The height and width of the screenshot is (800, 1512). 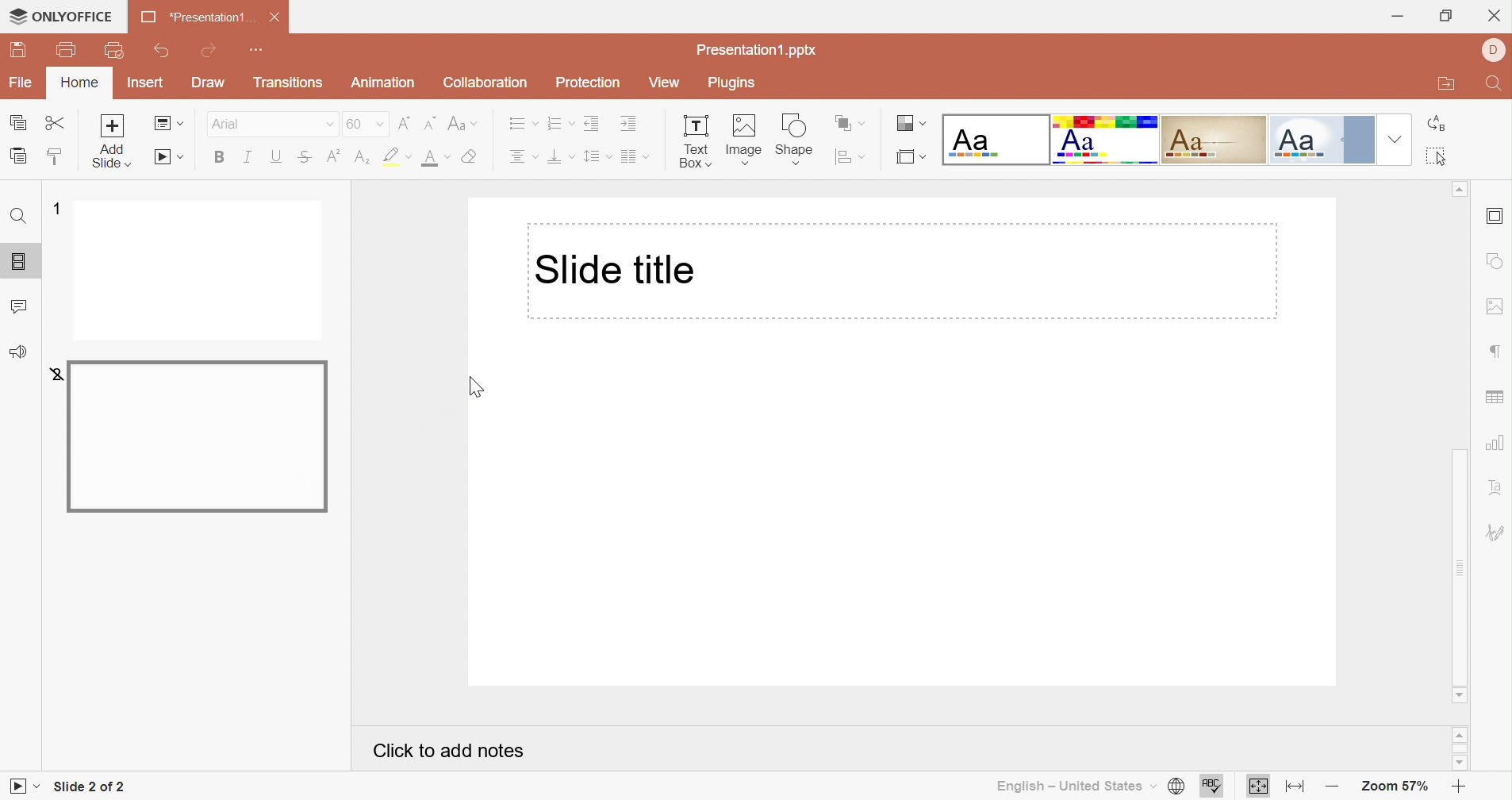 What do you see at coordinates (1498, 442) in the screenshot?
I see `Chart settings` at bounding box center [1498, 442].